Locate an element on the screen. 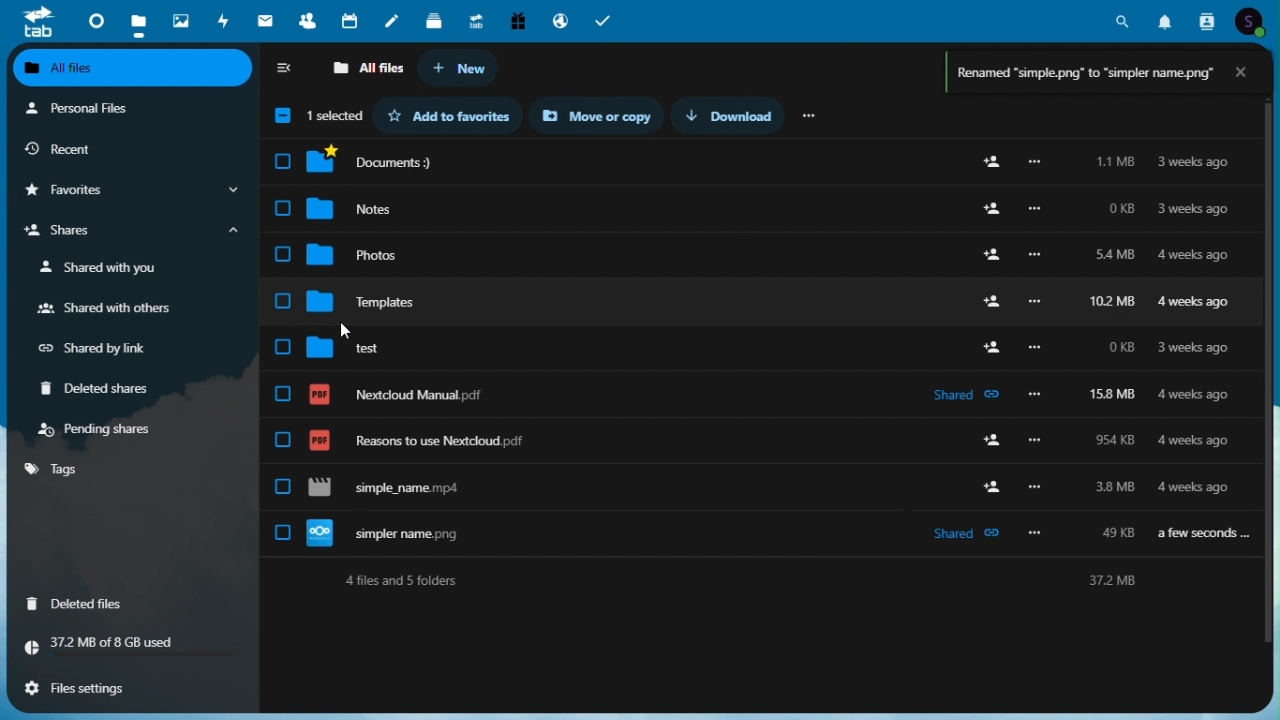 This screenshot has width=1280, height=720. free trial is located at coordinates (516, 19).